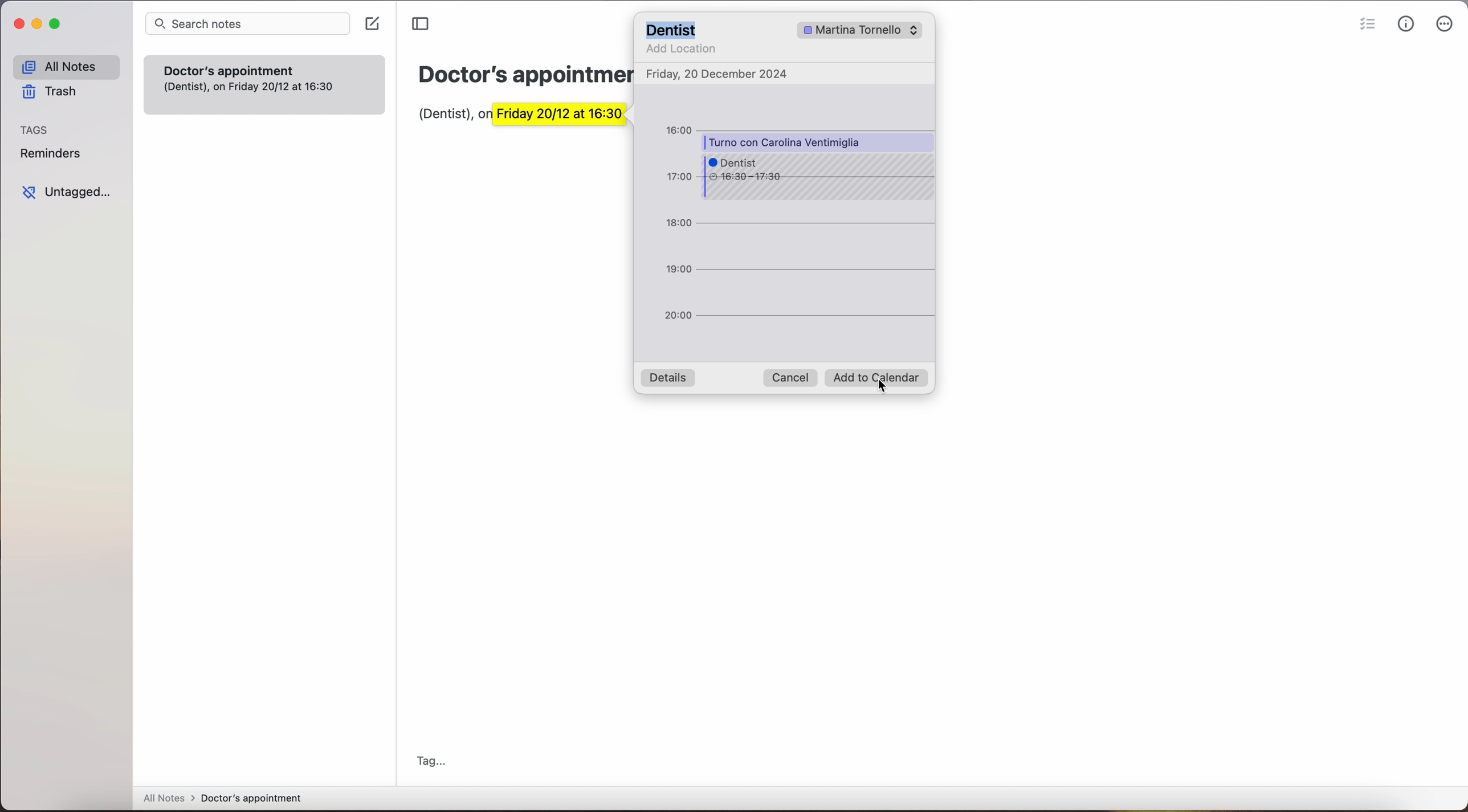 The height and width of the screenshot is (812, 1468). Describe the element at coordinates (1445, 24) in the screenshot. I see `more options` at that location.